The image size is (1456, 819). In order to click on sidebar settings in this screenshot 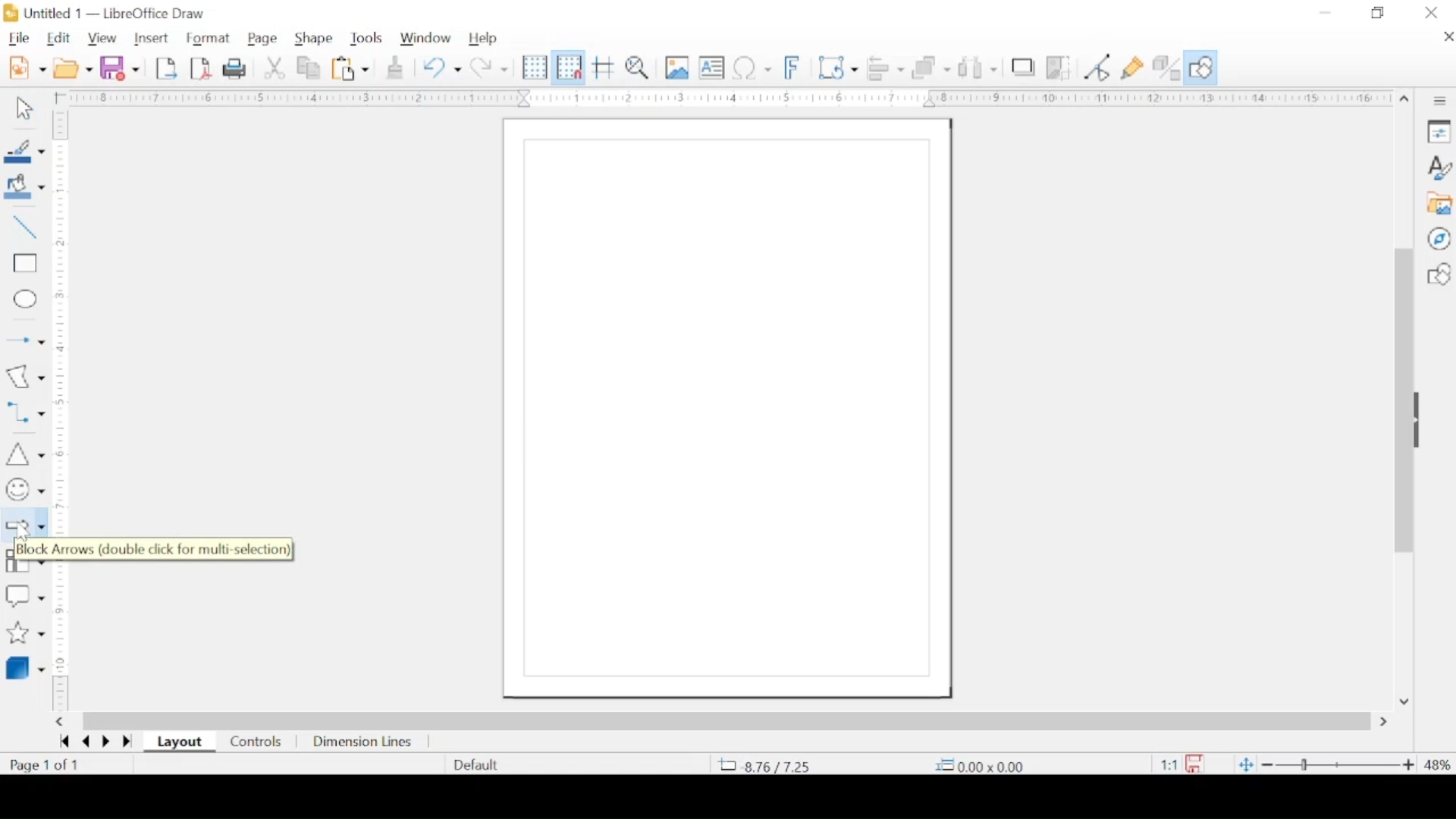, I will do `click(1442, 102)`.